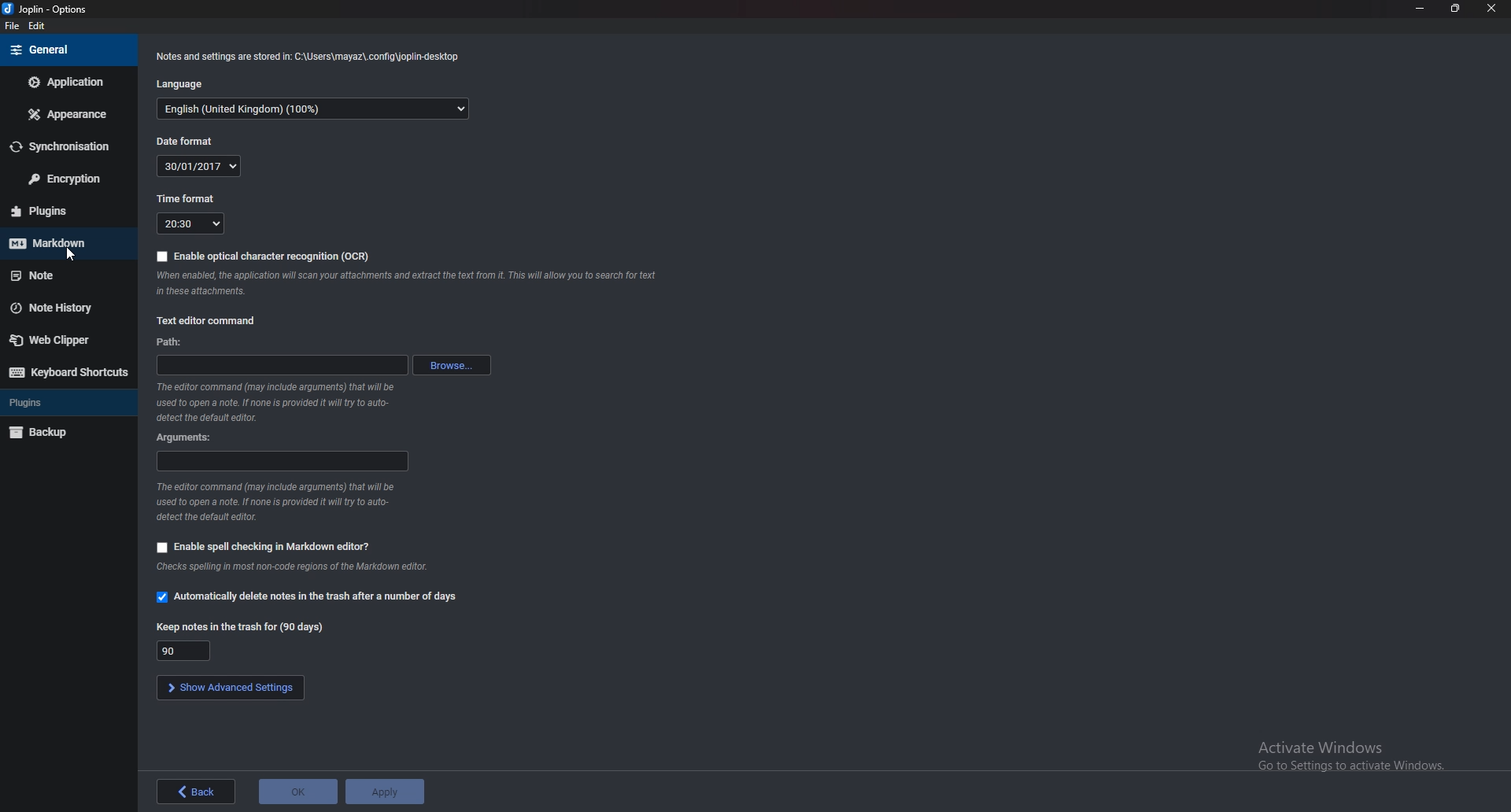  Describe the element at coordinates (265, 546) in the screenshot. I see `Enable spell checking` at that location.